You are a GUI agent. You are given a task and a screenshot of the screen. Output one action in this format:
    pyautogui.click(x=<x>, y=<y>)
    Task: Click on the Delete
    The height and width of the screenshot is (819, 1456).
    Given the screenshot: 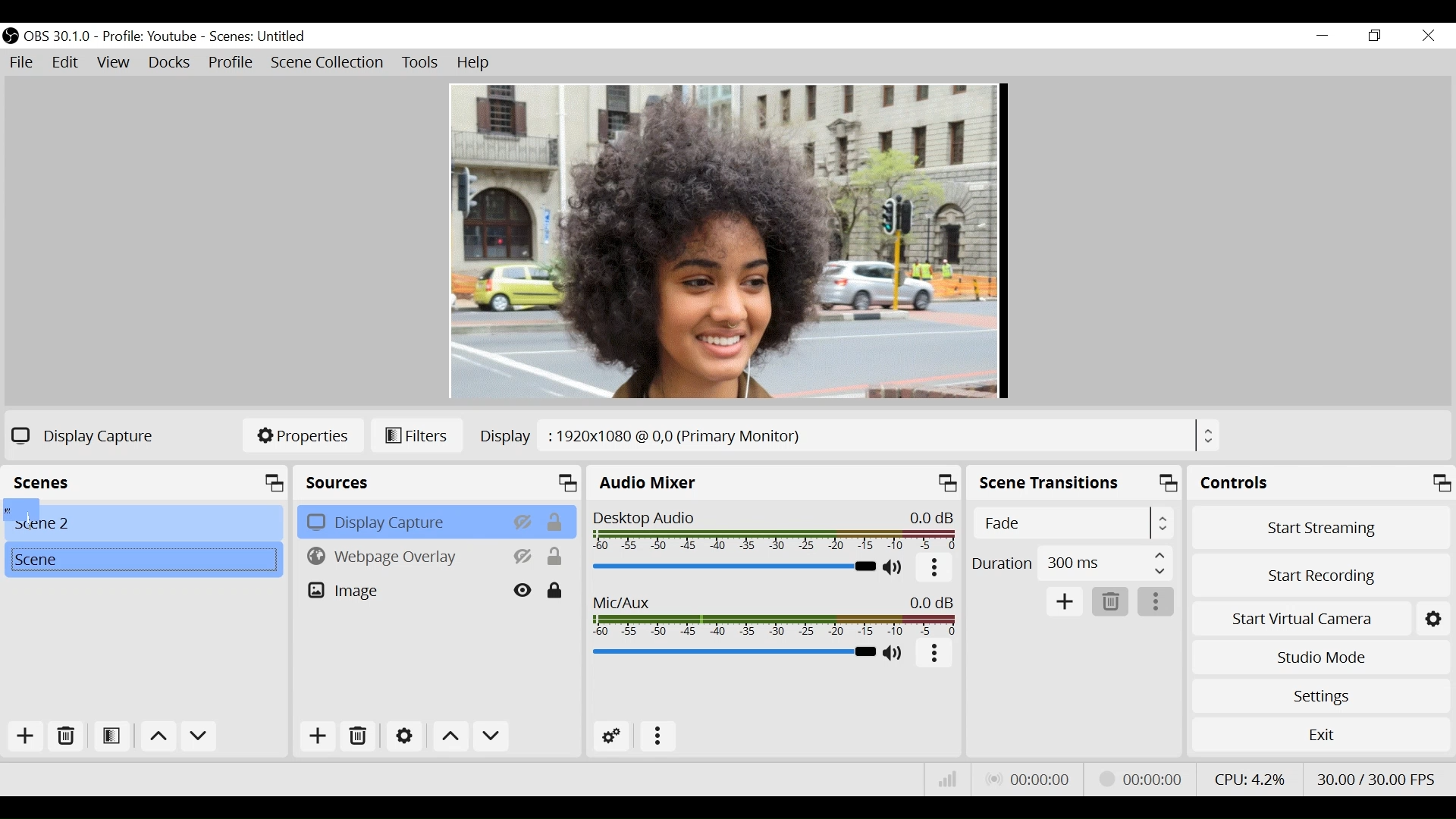 What is the action you would take?
    pyautogui.click(x=67, y=736)
    